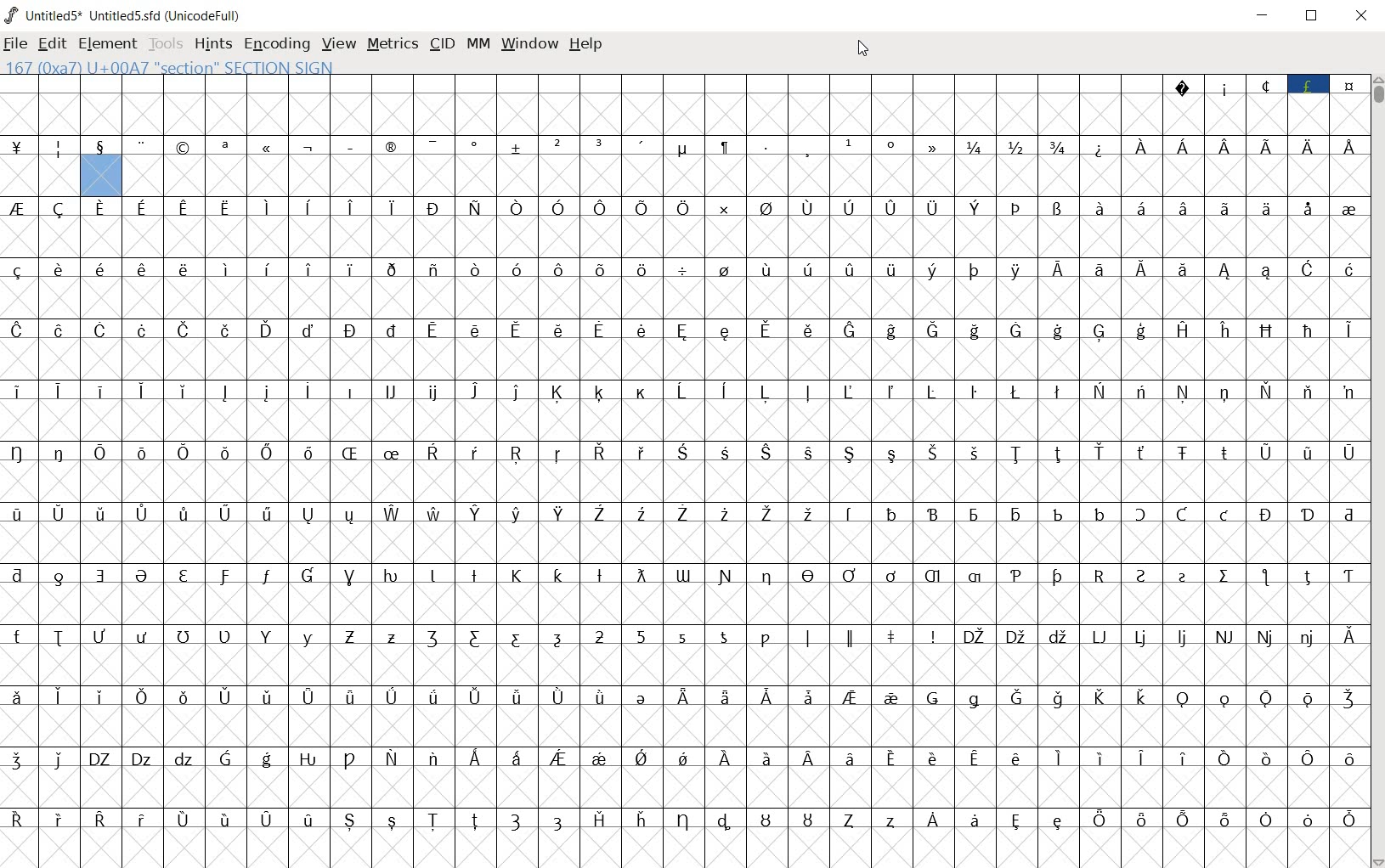  I want to click on special letters, so click(687, 330).